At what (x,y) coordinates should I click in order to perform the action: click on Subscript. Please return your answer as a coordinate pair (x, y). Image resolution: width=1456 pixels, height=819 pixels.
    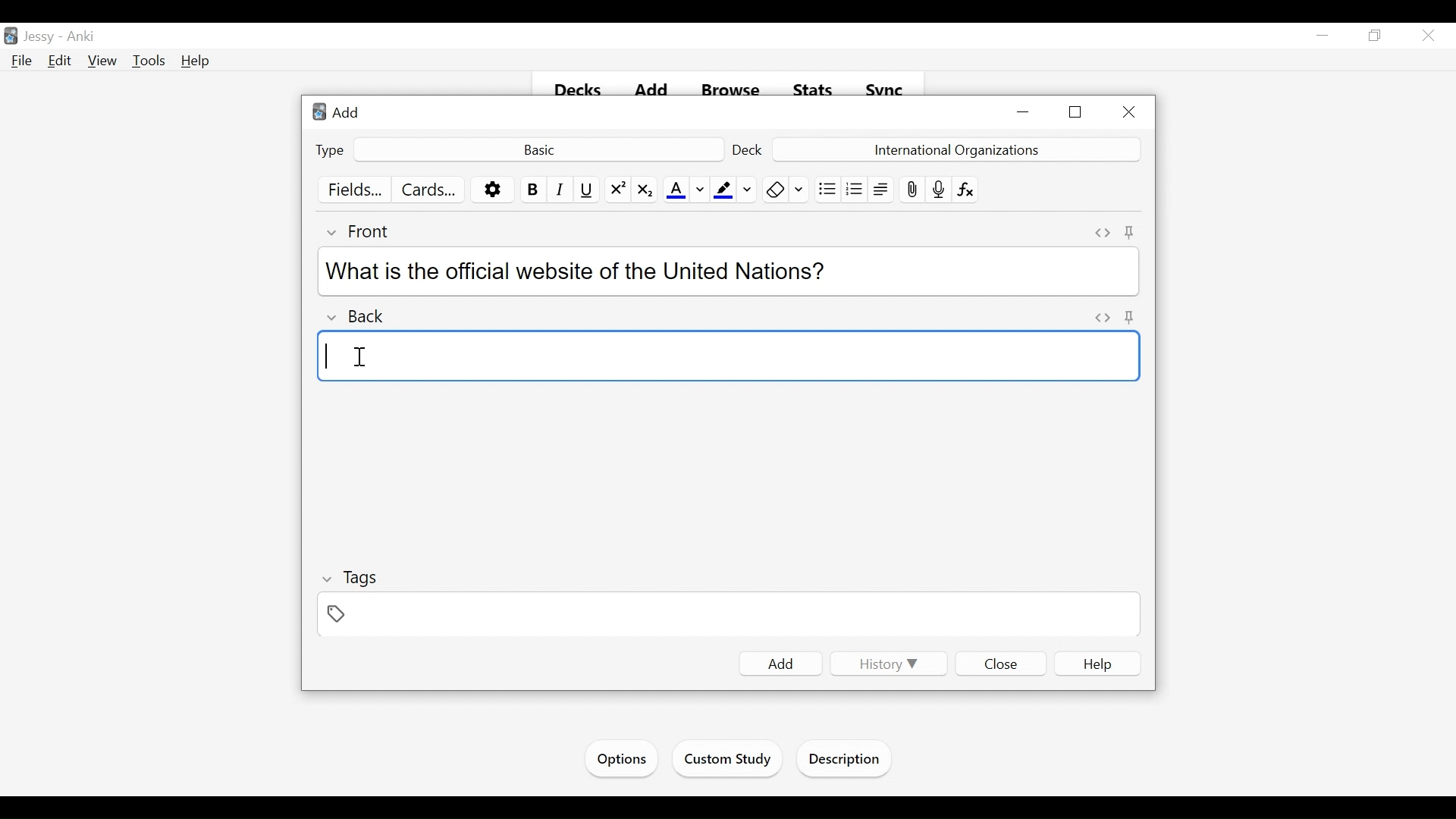
    Looking at the image, I should click on (645, 190).